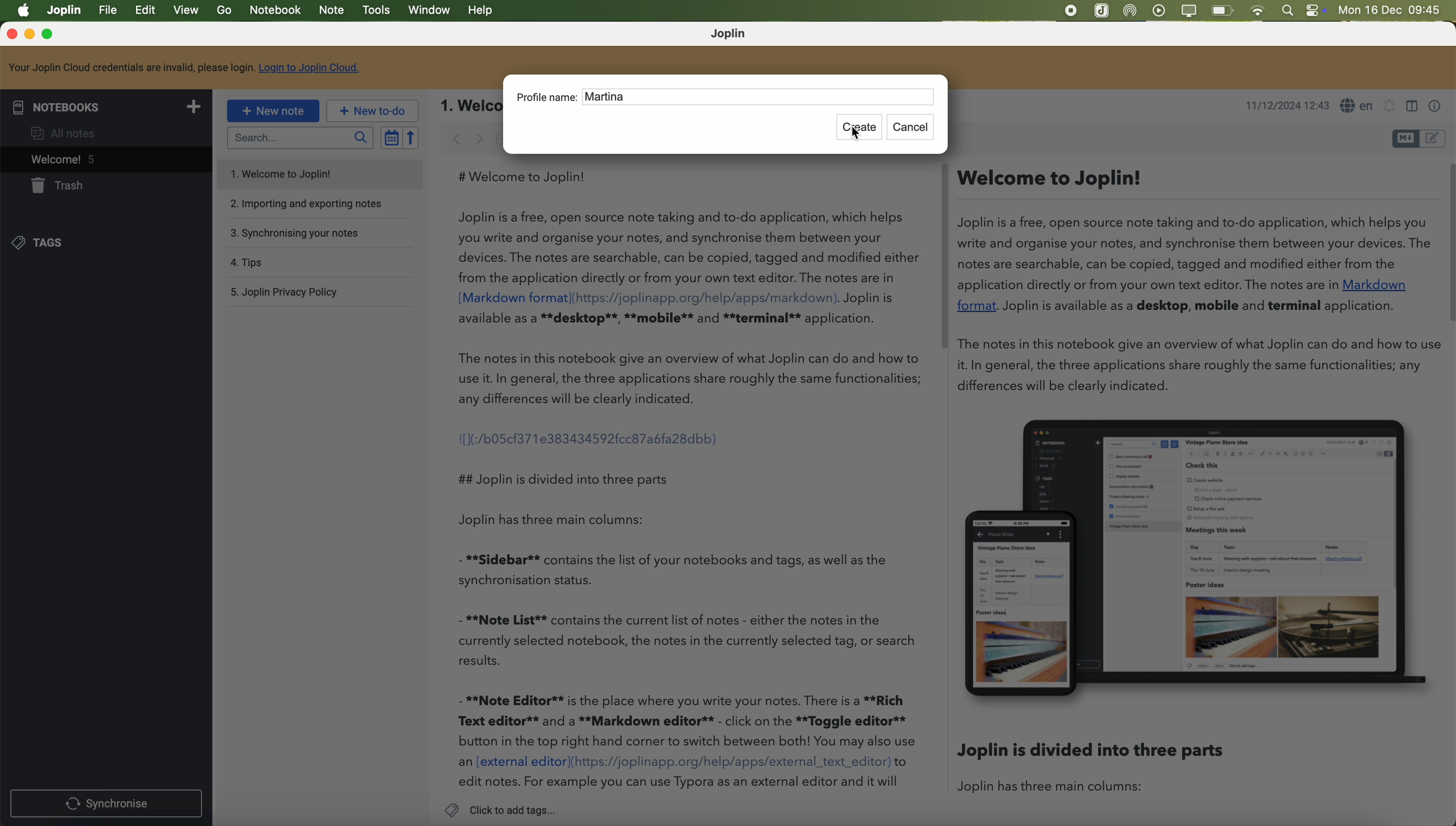 The image size is (1456, 826). What do you see at coordinates (1411, 107) in the screenshot?
I see `toggle editors layout` at bounding box center [1411, 107].